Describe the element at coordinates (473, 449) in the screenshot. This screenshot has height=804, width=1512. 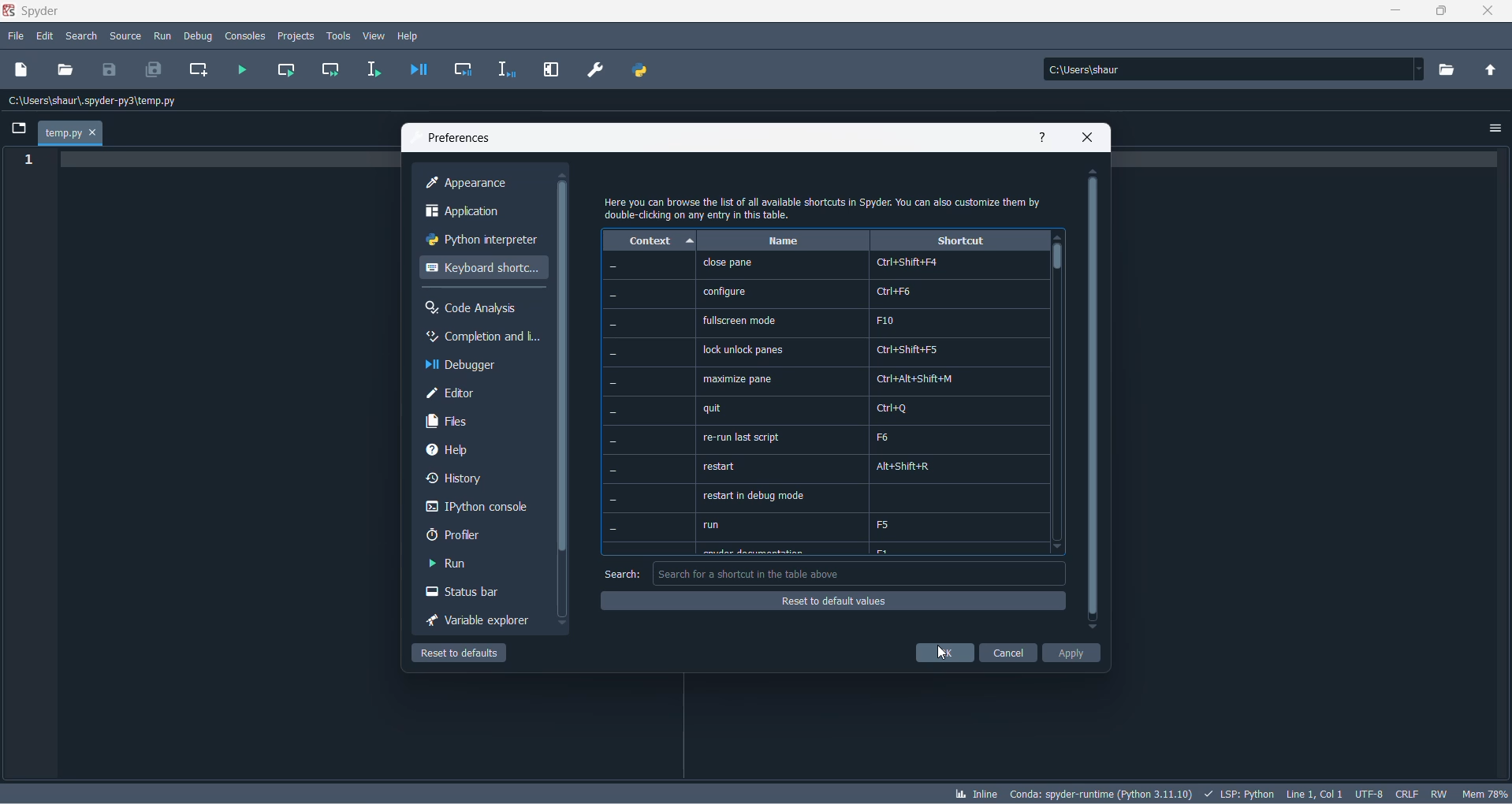
I see `help` at that location.